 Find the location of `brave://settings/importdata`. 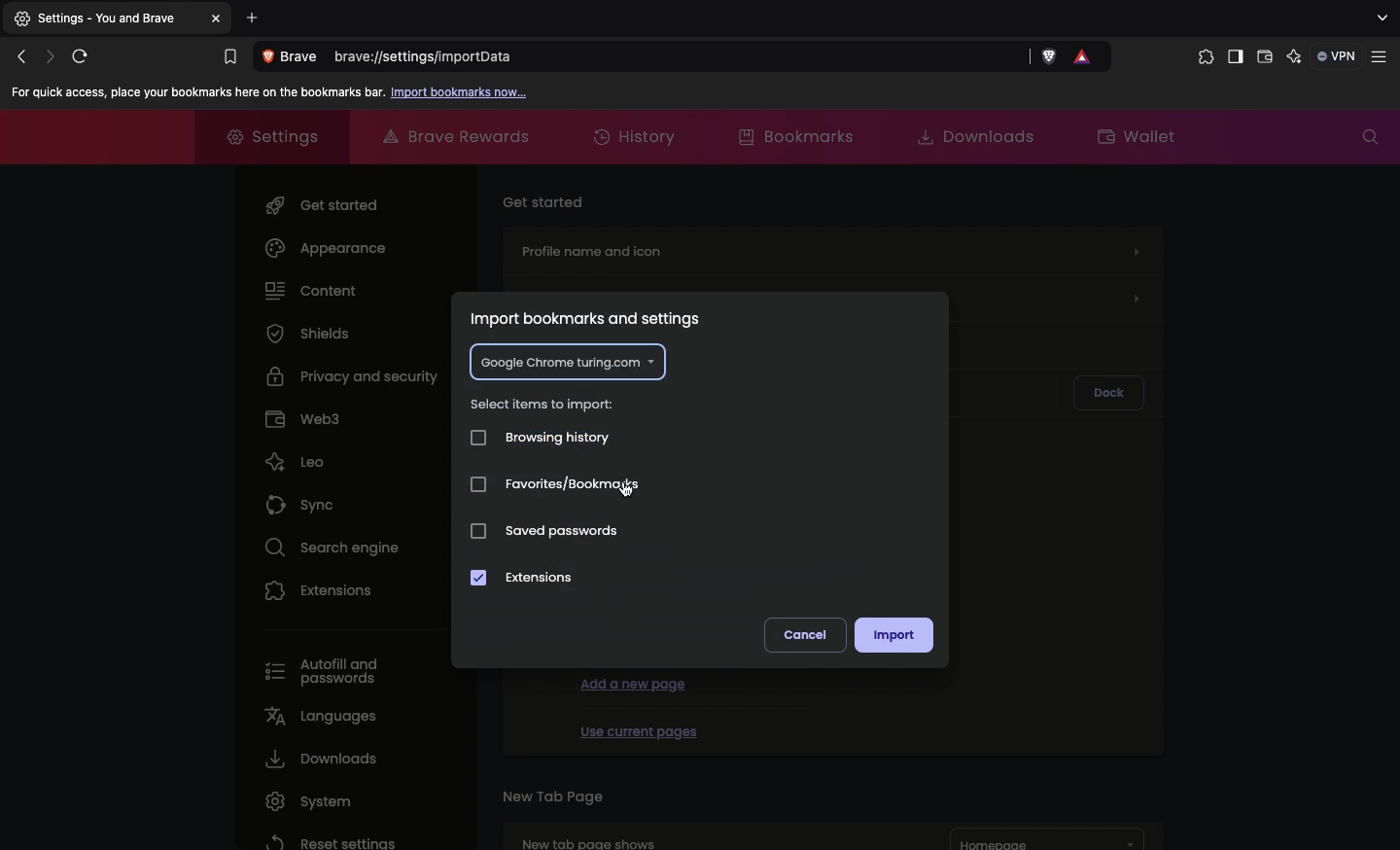

brave://settings/importdata is located at coordinates (682, 58).